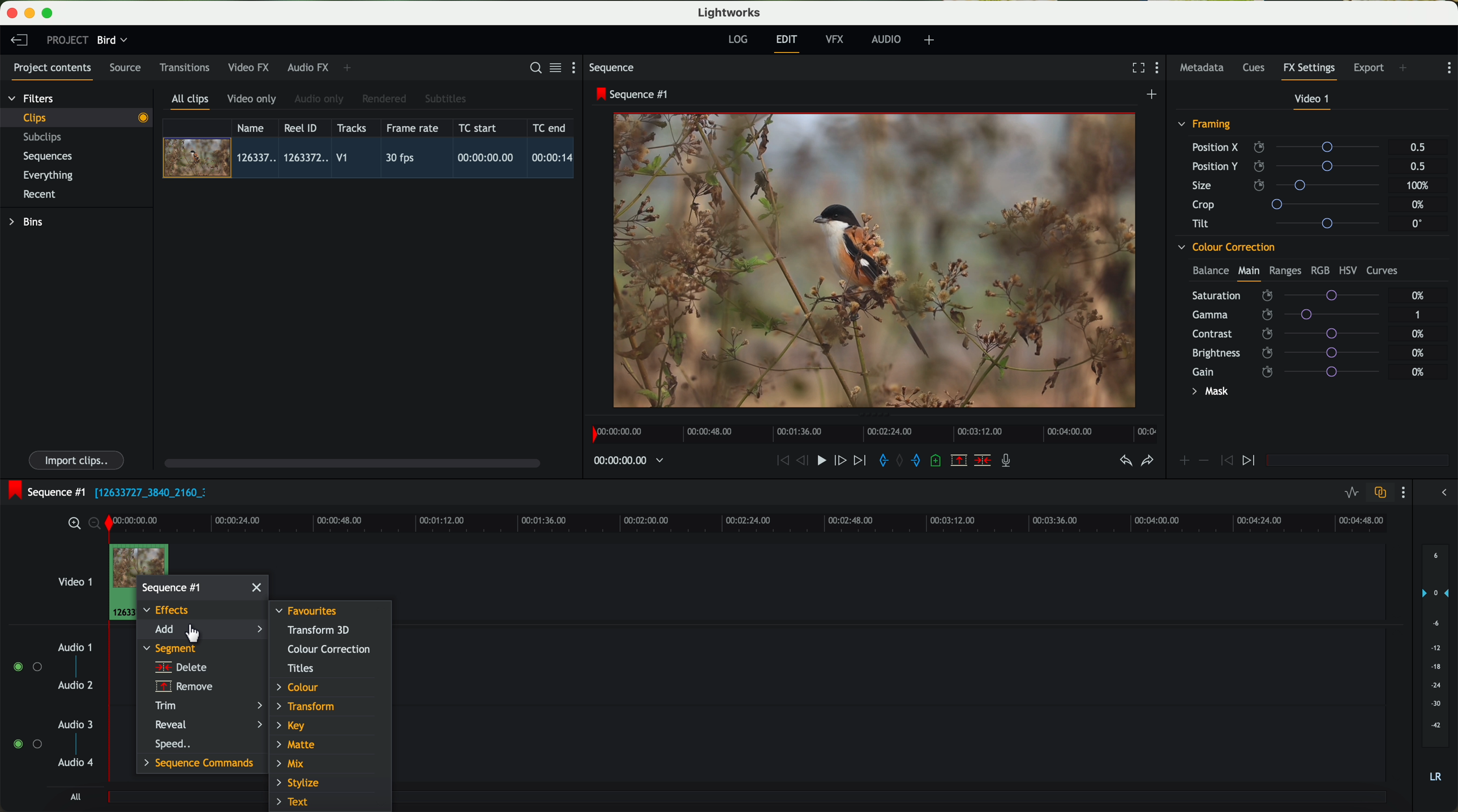 Image resolution: width=1458 pixels, height=812 pixels. I want to click on play, so click(821, 459).